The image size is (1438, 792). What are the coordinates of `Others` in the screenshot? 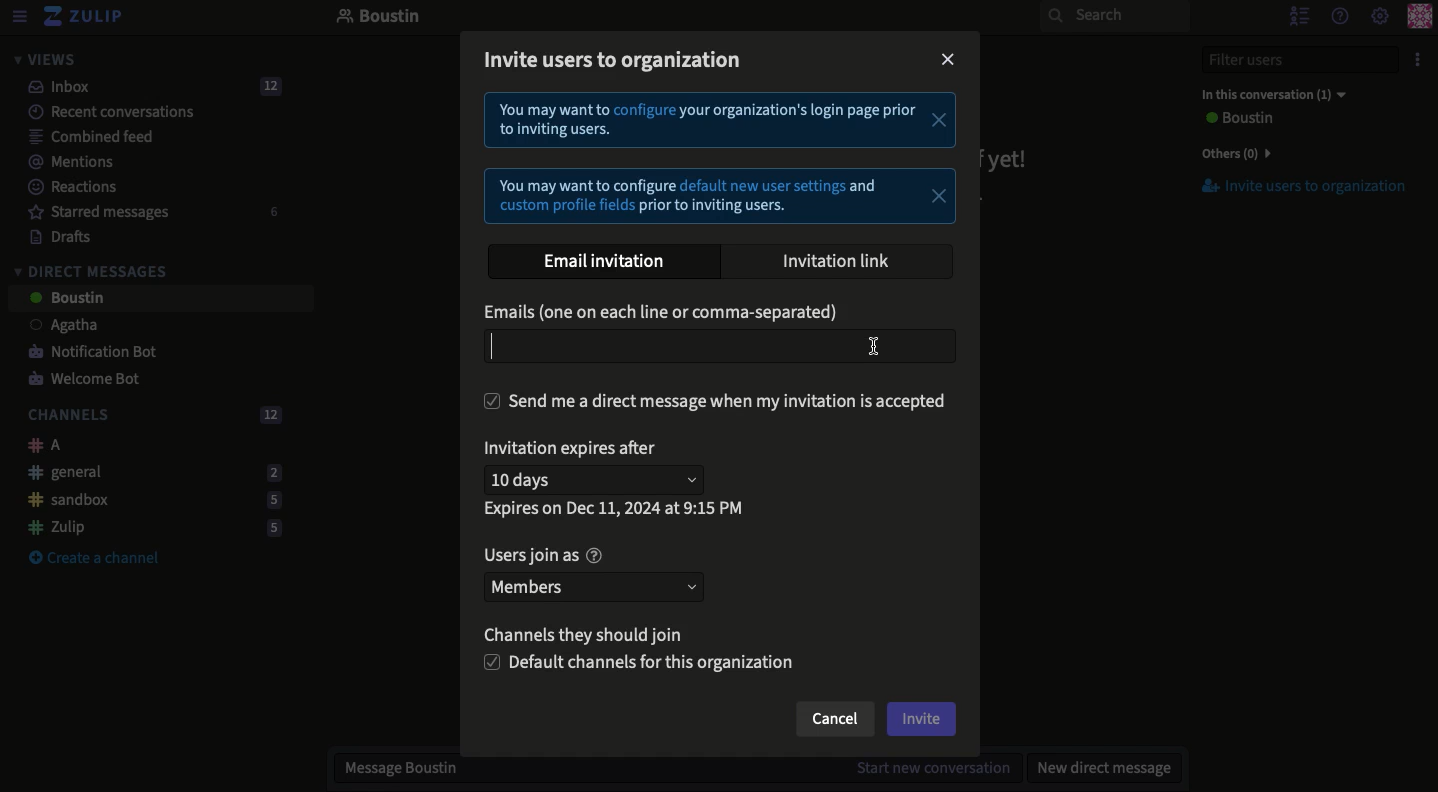 It's located at (1232, 153).